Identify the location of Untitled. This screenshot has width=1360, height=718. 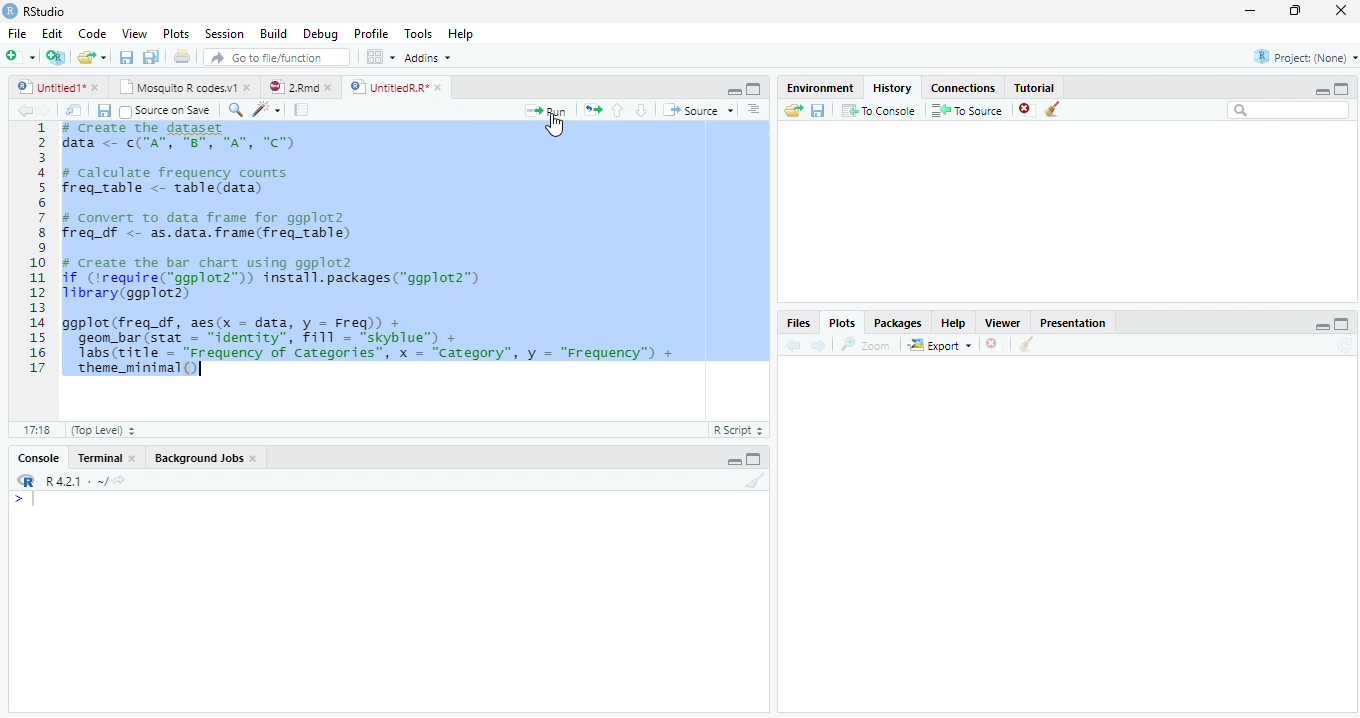
(60, 88).